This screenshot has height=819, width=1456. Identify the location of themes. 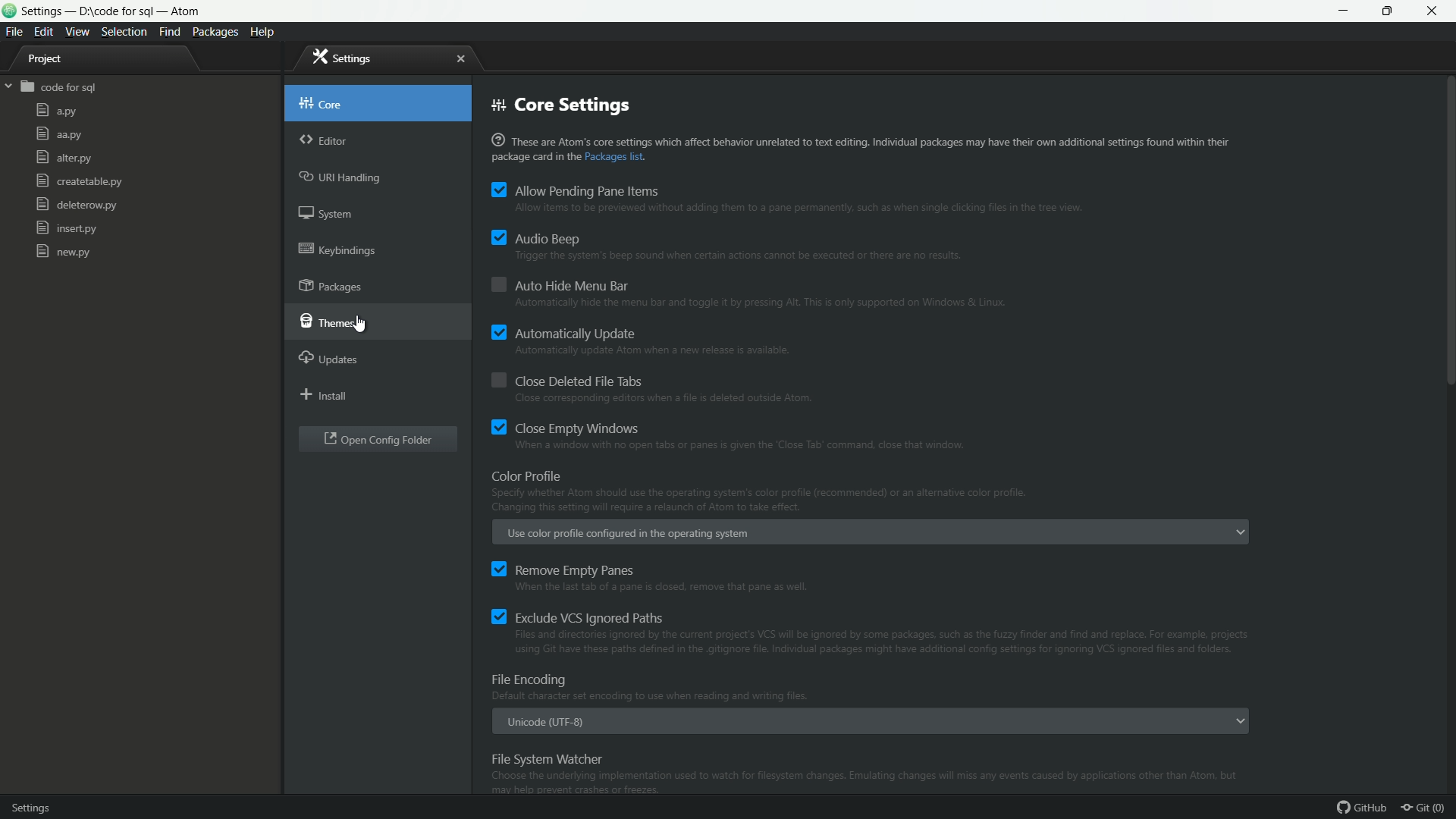
(325, 322).